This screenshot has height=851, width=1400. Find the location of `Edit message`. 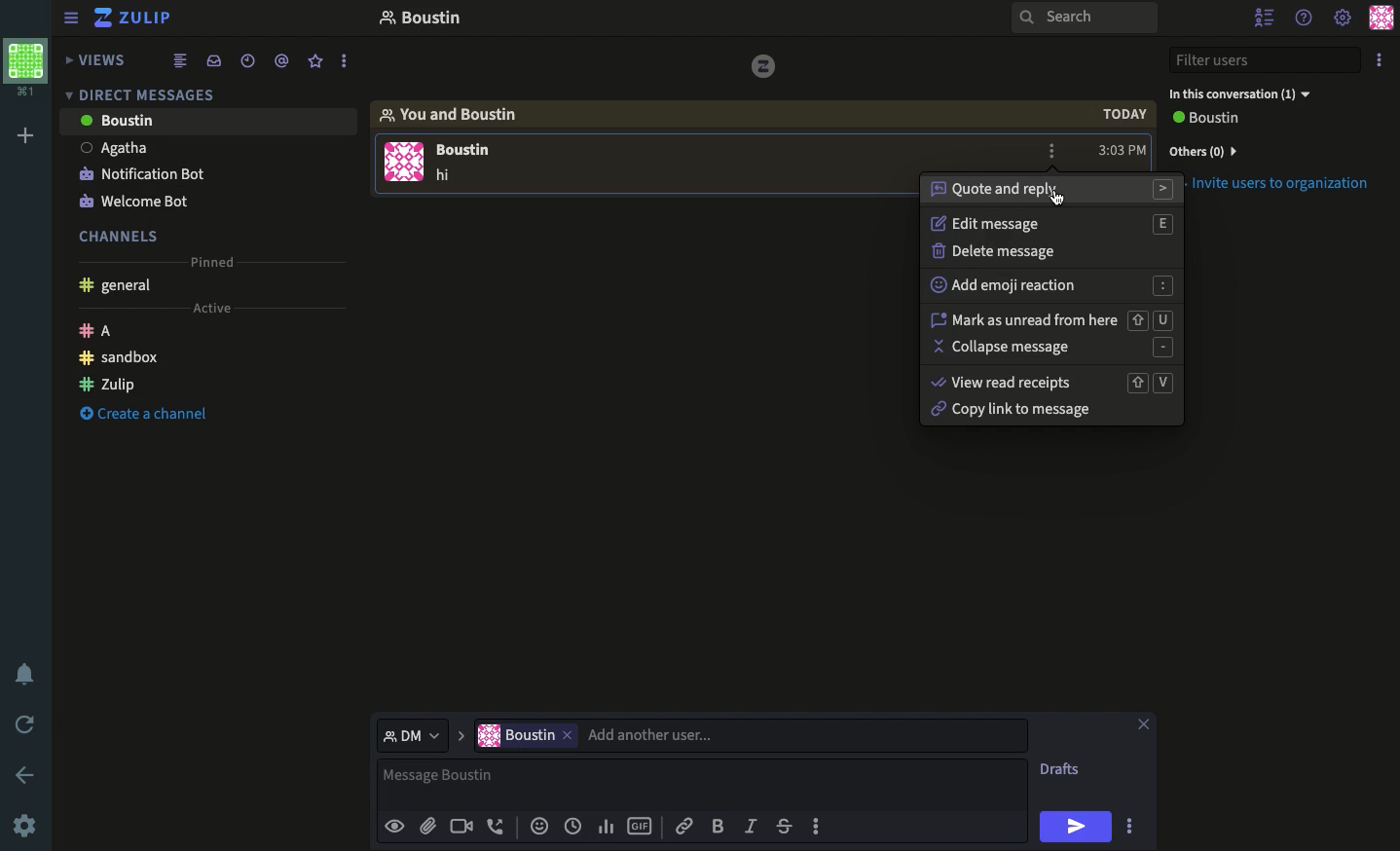

Edit message is located at coordinates (1053, 225).